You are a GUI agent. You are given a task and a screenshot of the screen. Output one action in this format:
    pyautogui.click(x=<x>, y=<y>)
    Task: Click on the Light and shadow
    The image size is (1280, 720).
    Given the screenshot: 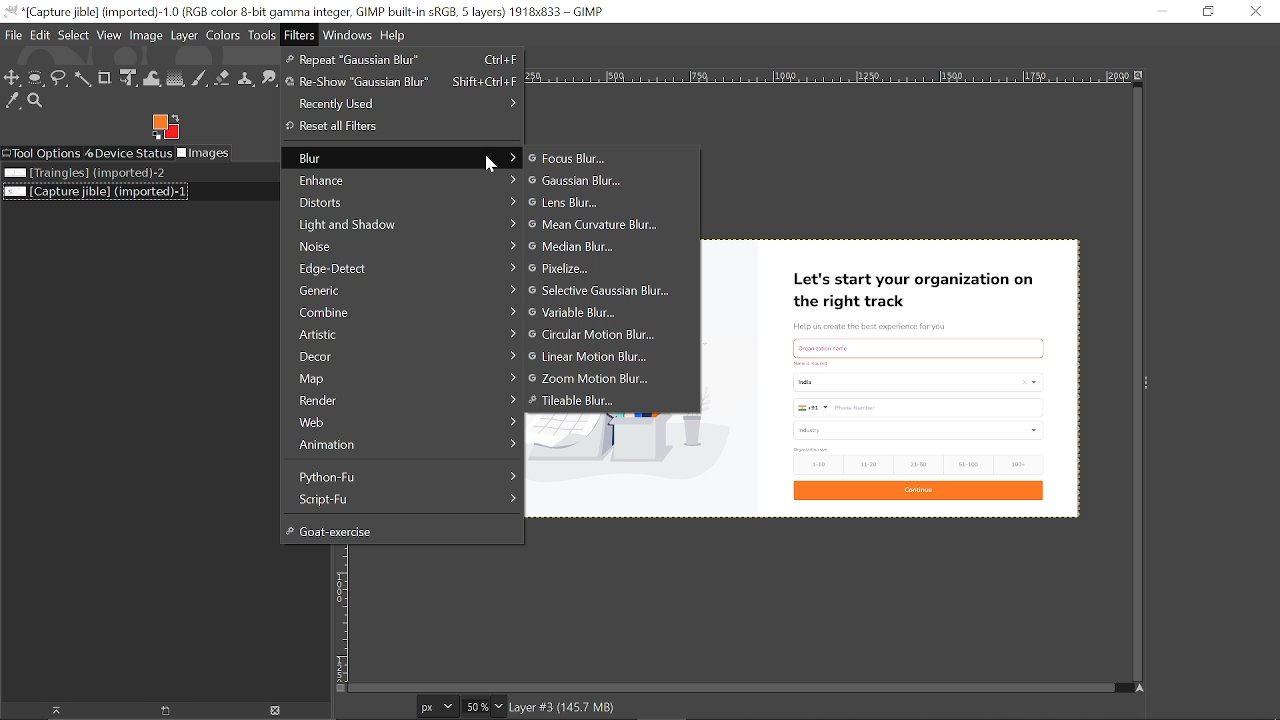 What is the action you would take?
    pyautogui.click(x=404, y=223)
    